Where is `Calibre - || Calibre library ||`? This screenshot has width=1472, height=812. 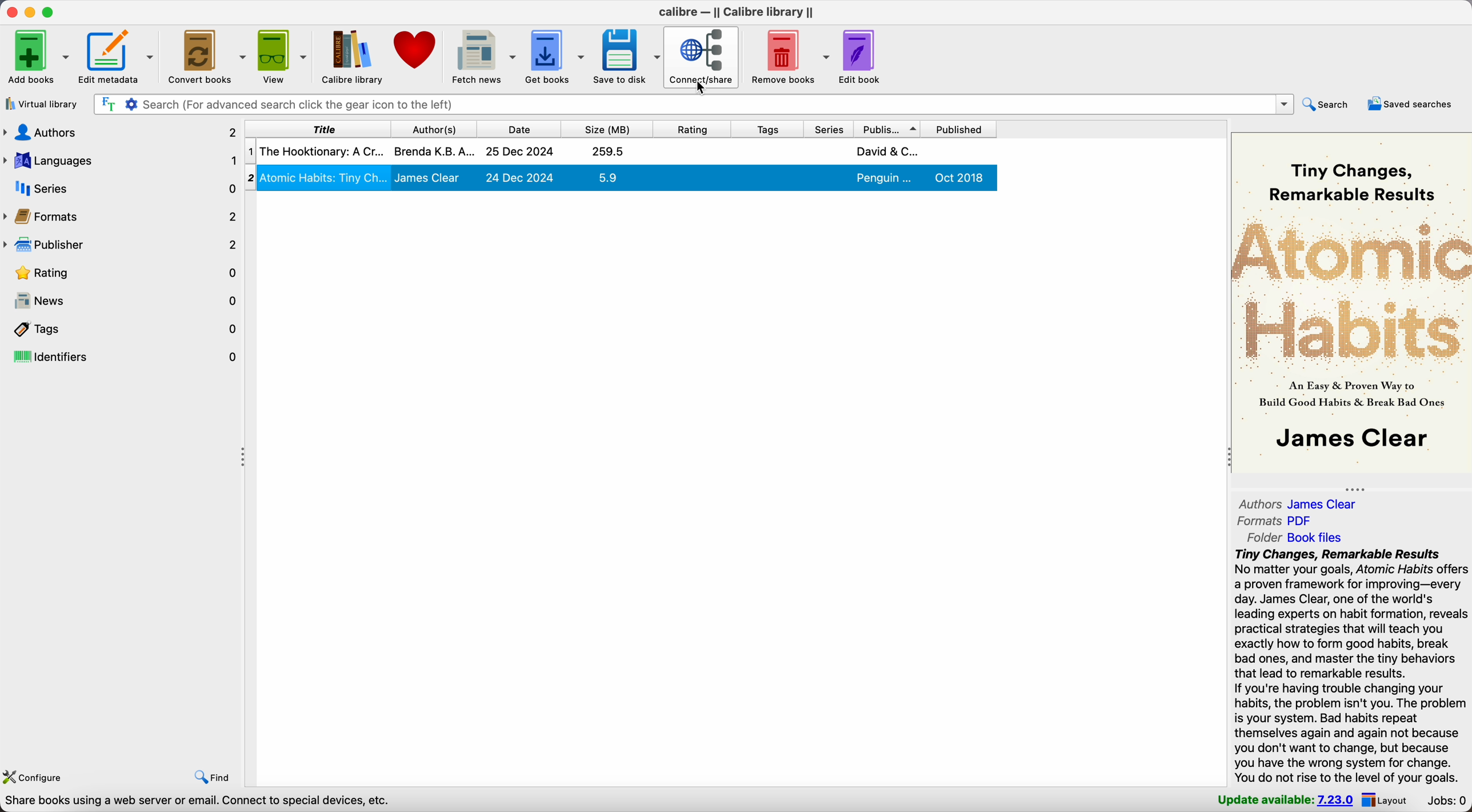
Calibre - || Calibre library || is located at coordinates (736, 12).